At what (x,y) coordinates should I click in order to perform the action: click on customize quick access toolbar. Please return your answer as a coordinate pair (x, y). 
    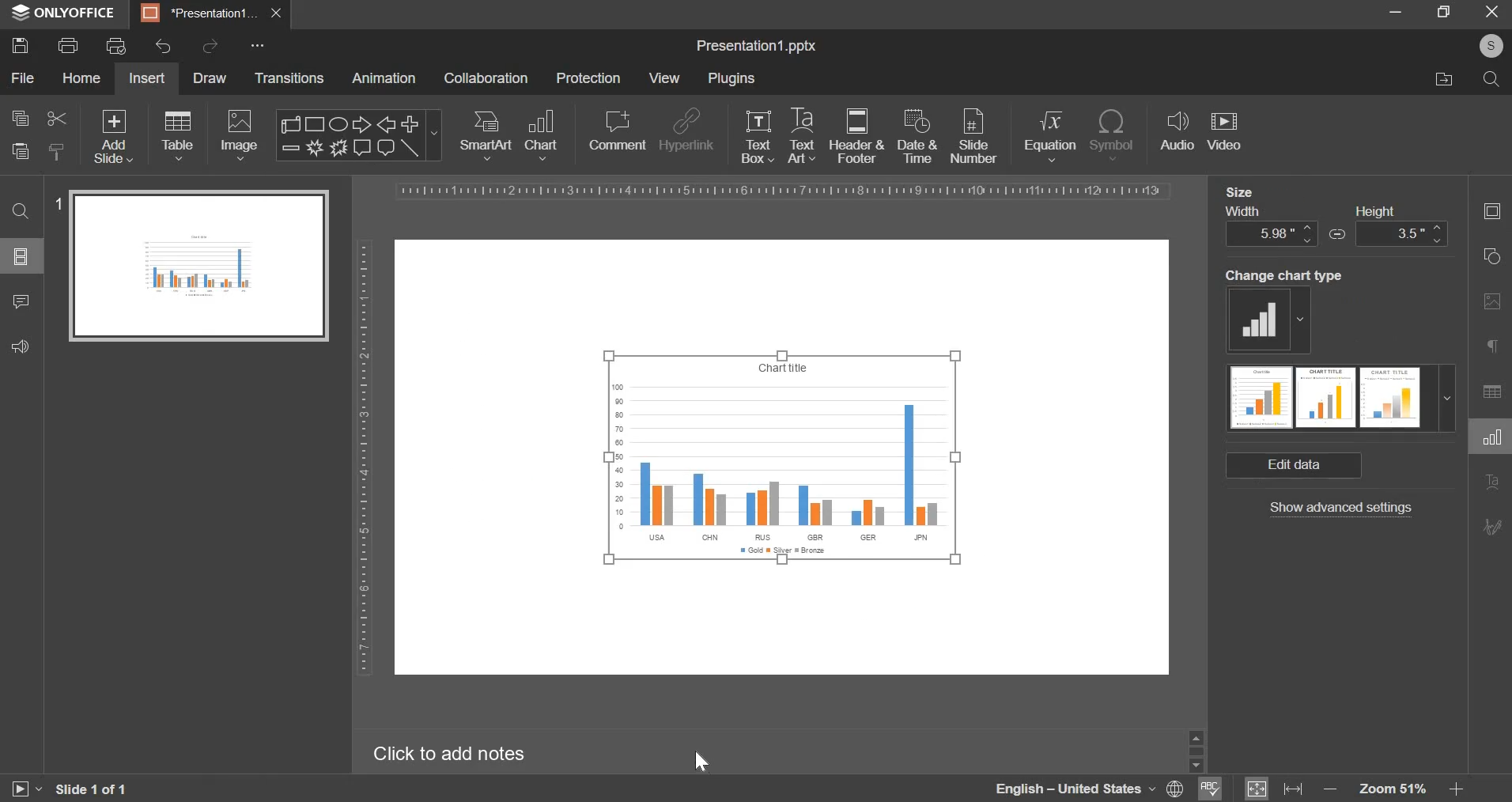
    Looking at the image, I should click on (259, 47).